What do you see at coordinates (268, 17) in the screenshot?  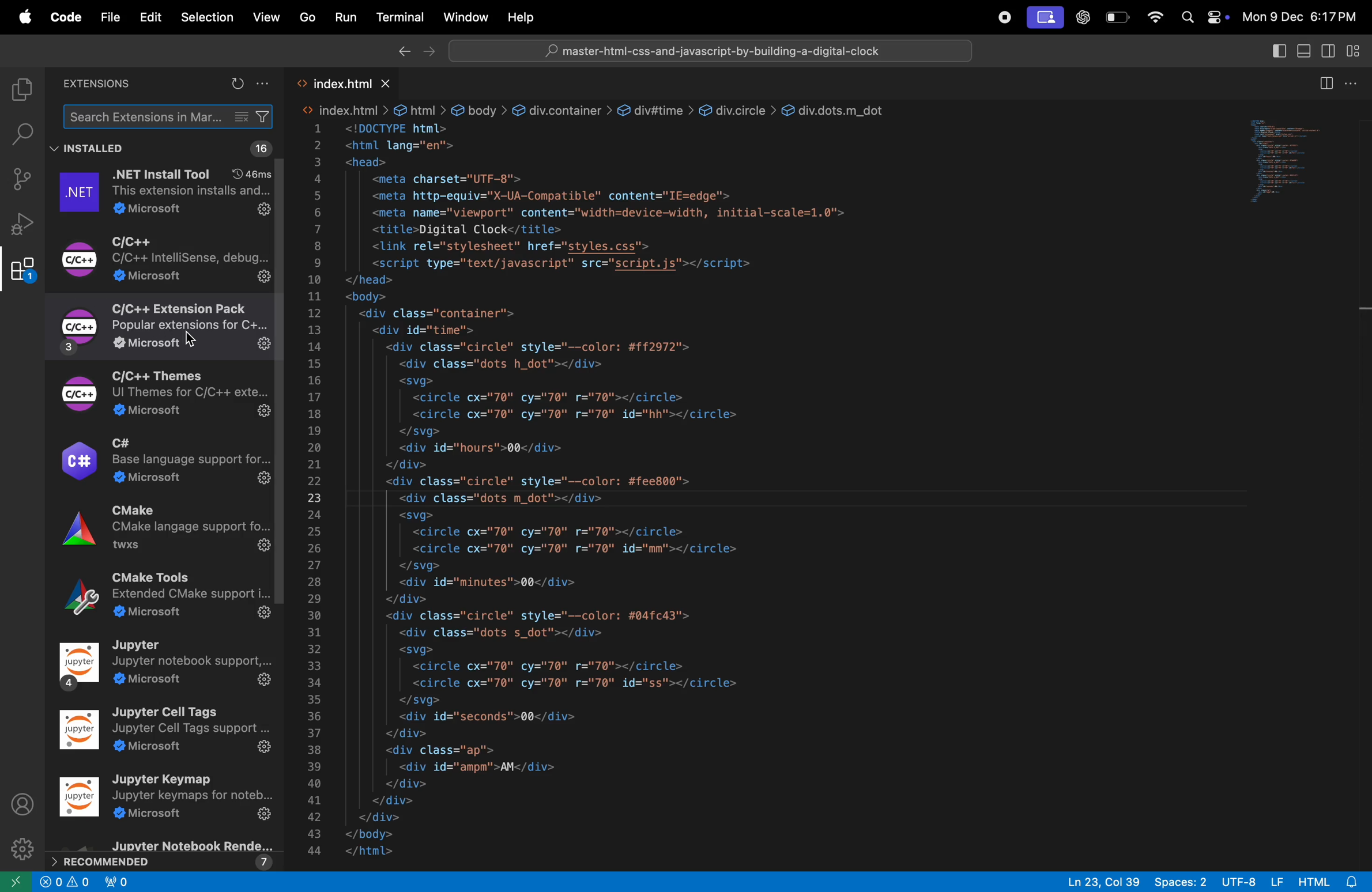 I see `View` at bounding box center [268, 17].